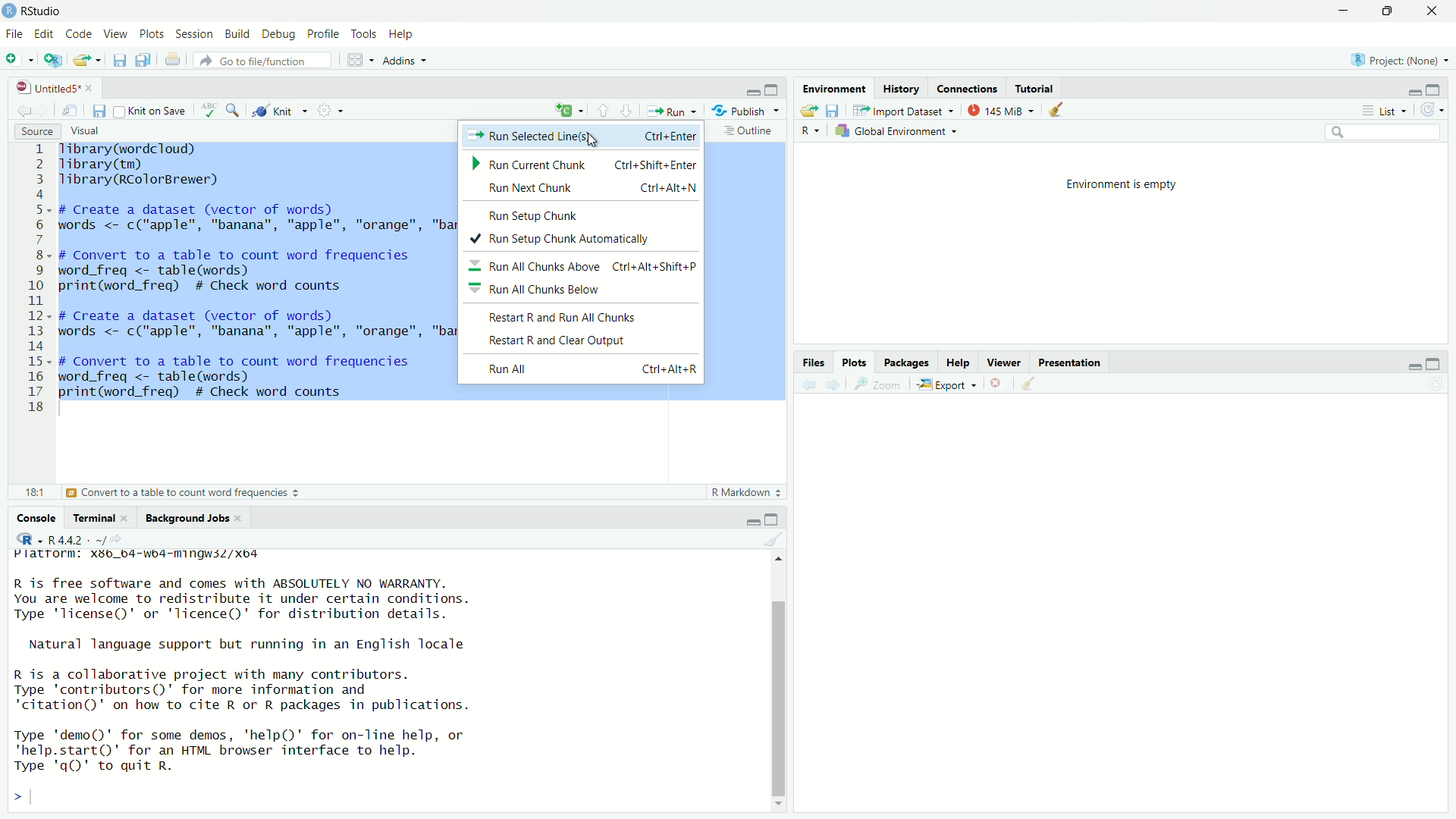  What do you see at coordinates (629, 111) in the screenshot?
I see `Go to the next section/chunk` at bounding box center [629, 111].